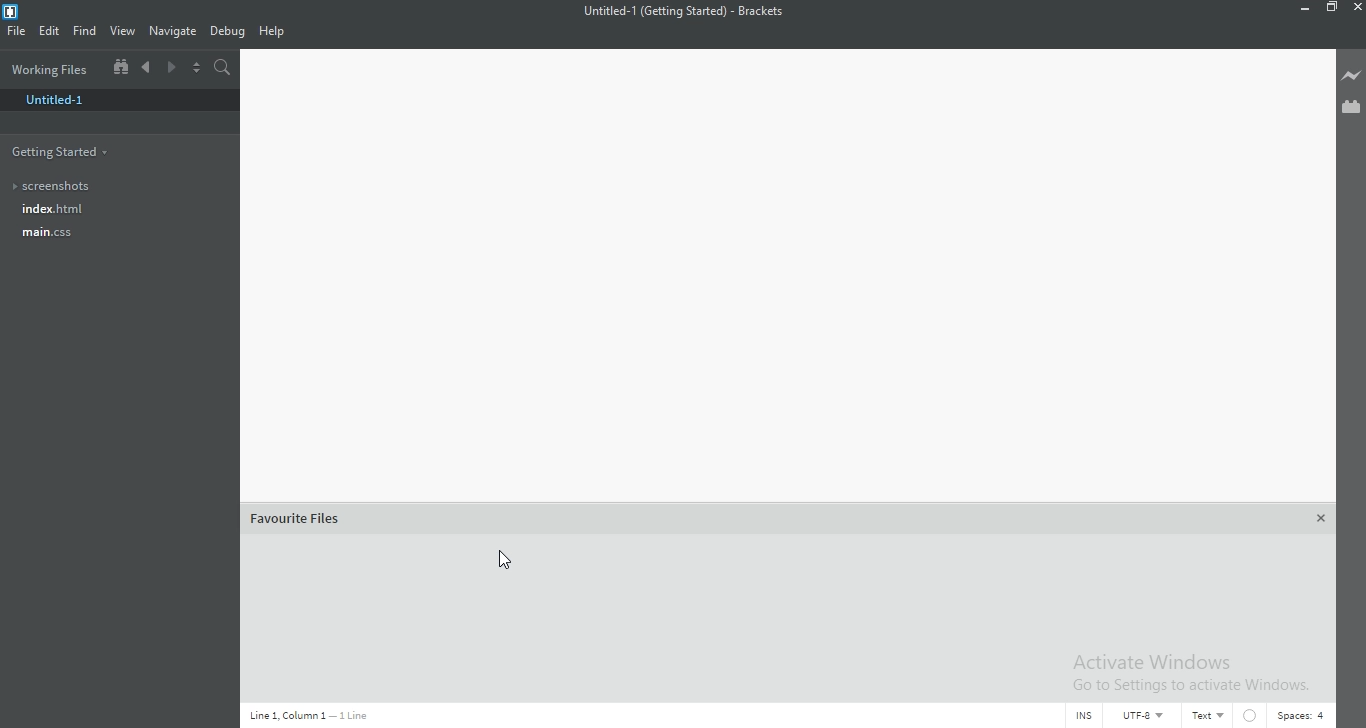 The height and width of the screenshot is (728, 1366). I want to click on Next document, so click(172, 68).